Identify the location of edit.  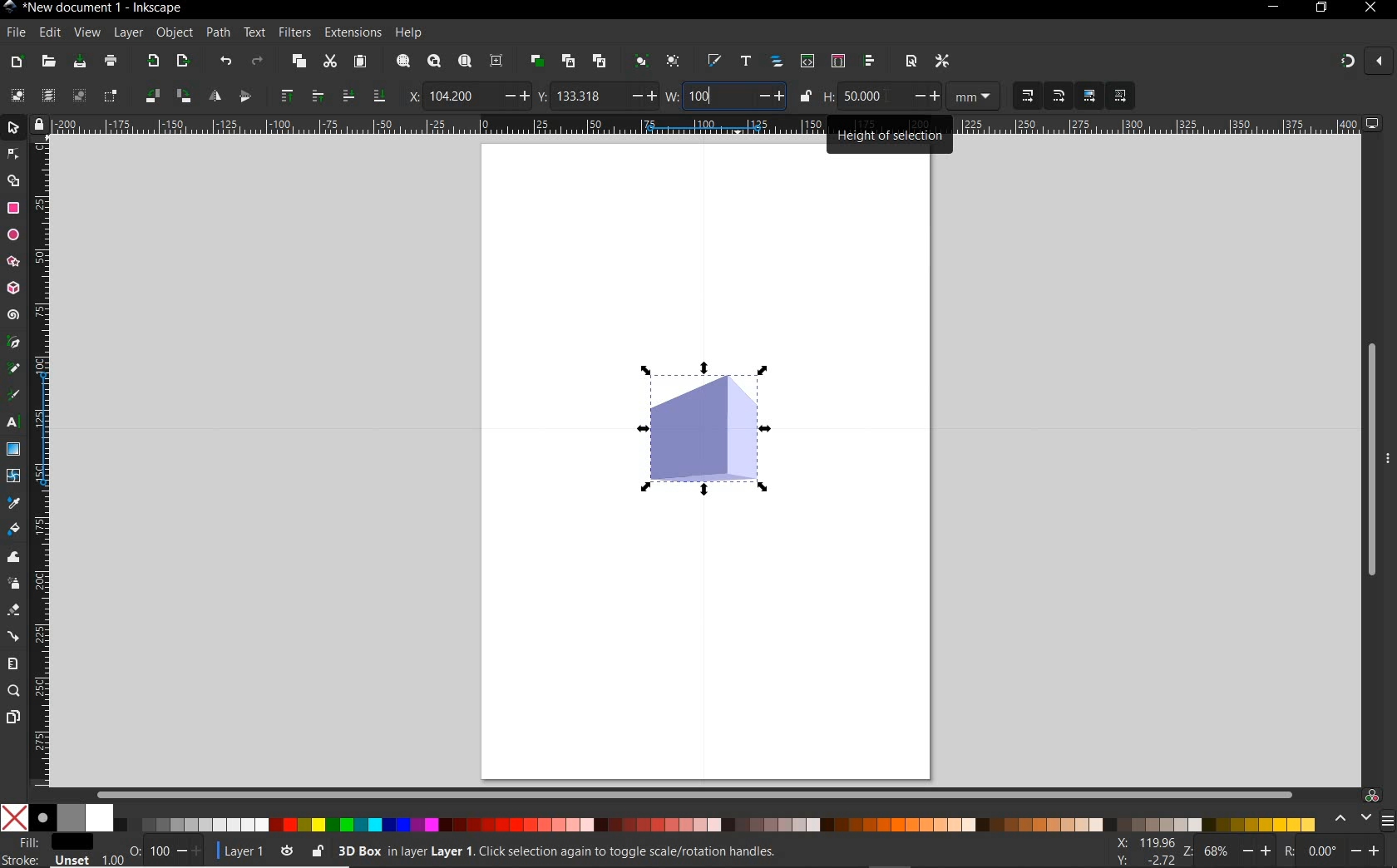
(48, 33).